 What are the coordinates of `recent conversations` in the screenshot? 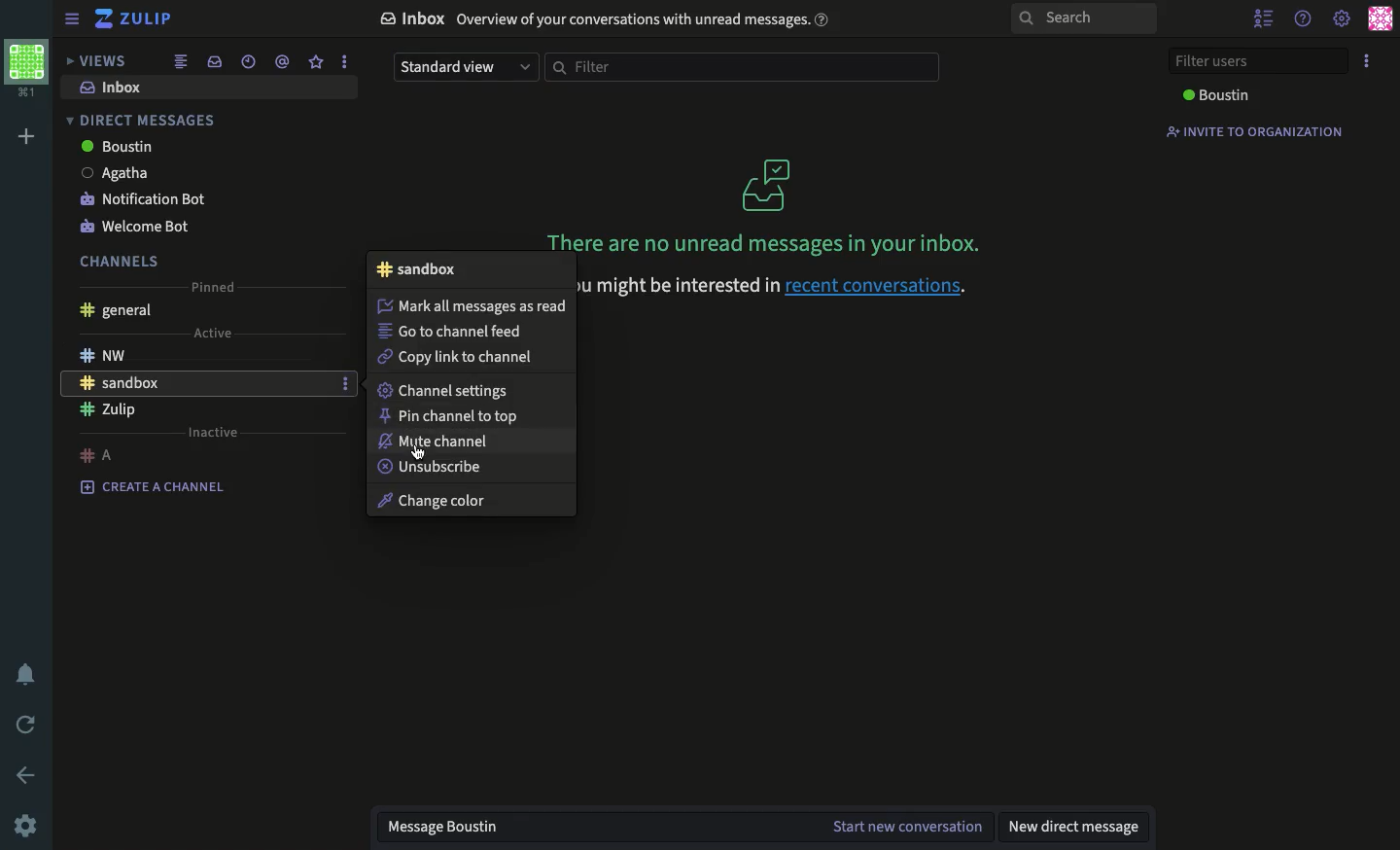 It's located at (248, 61).